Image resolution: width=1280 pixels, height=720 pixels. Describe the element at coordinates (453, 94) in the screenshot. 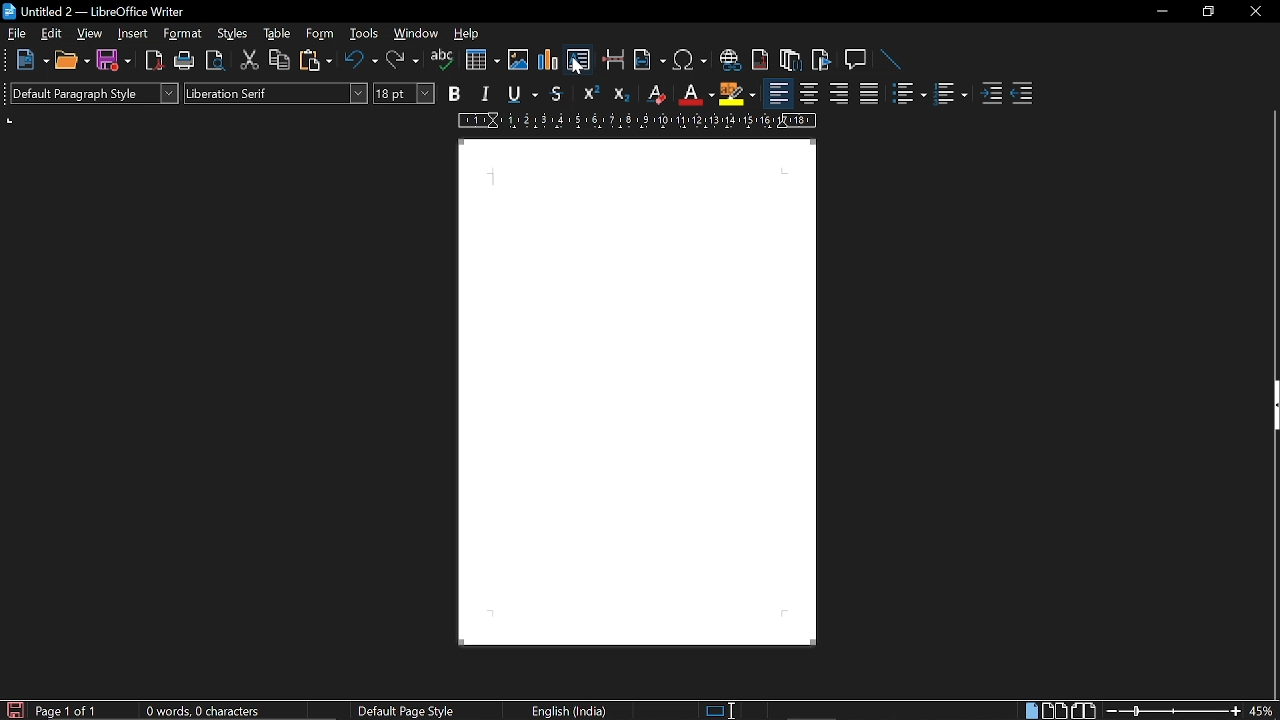

I see `bold` at that location.